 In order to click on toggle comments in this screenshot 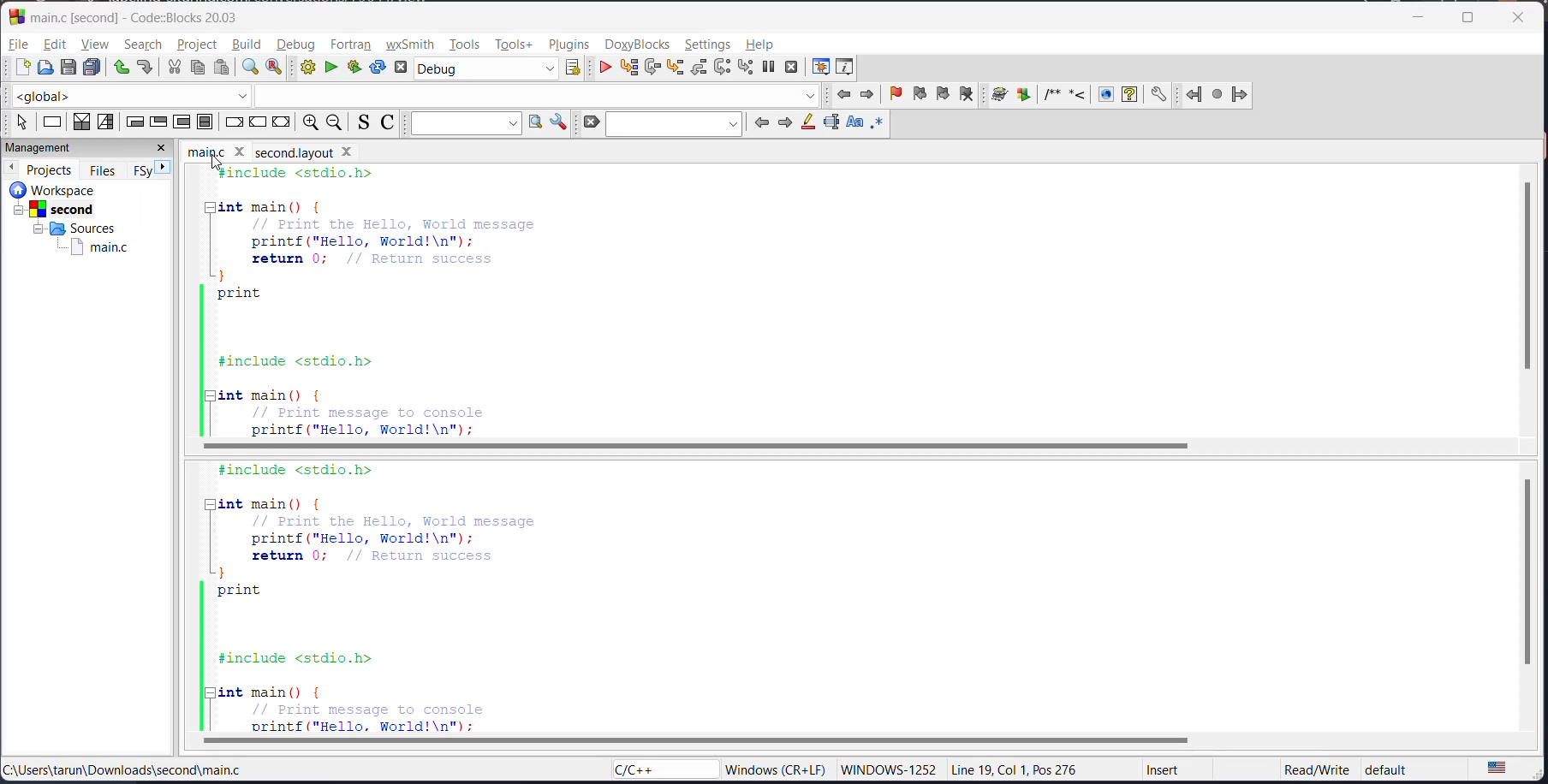, I will do `click(389, 124)`.